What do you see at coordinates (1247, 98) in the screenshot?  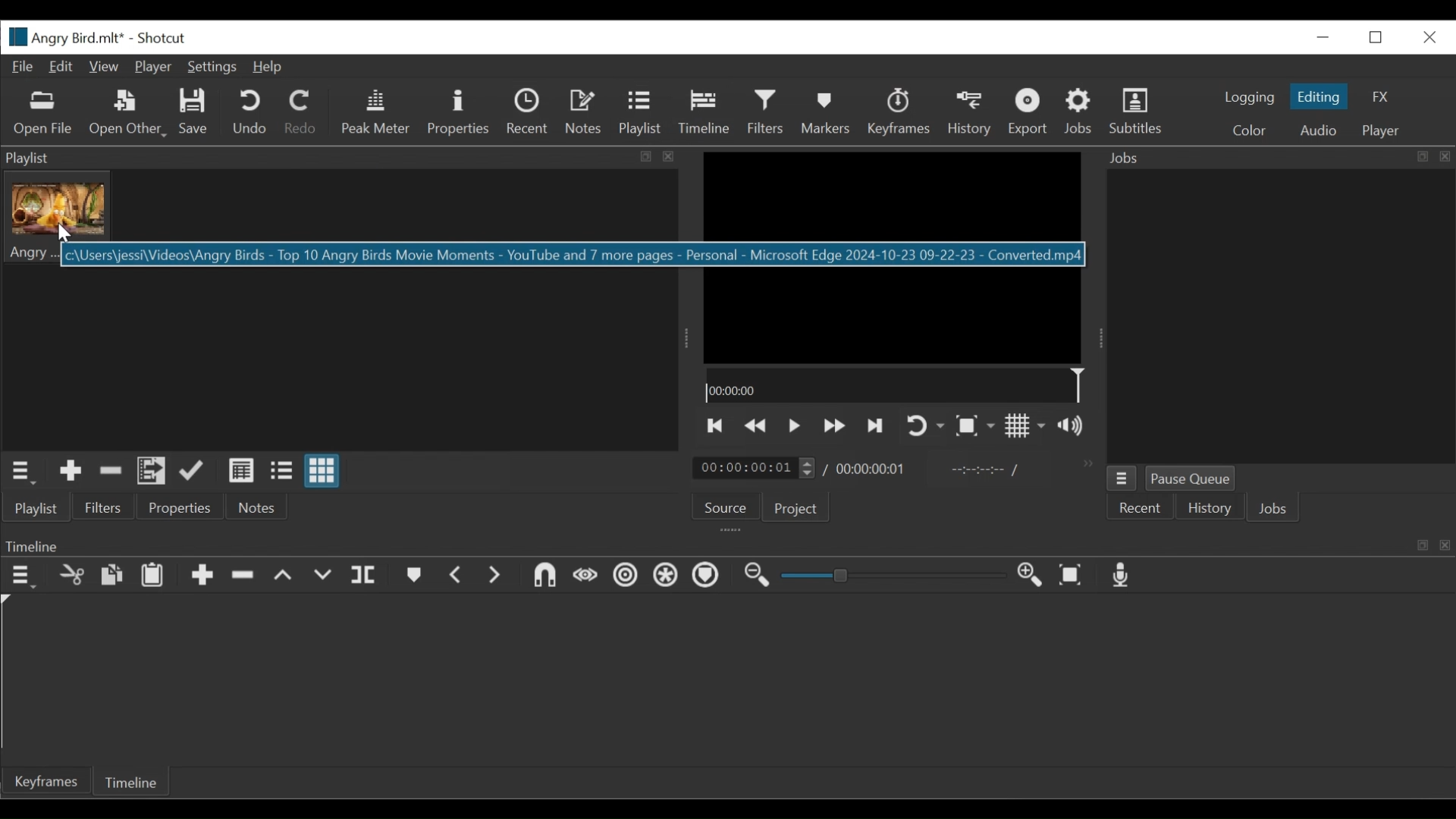 I see `logging` at bounding box center [1247, 98].